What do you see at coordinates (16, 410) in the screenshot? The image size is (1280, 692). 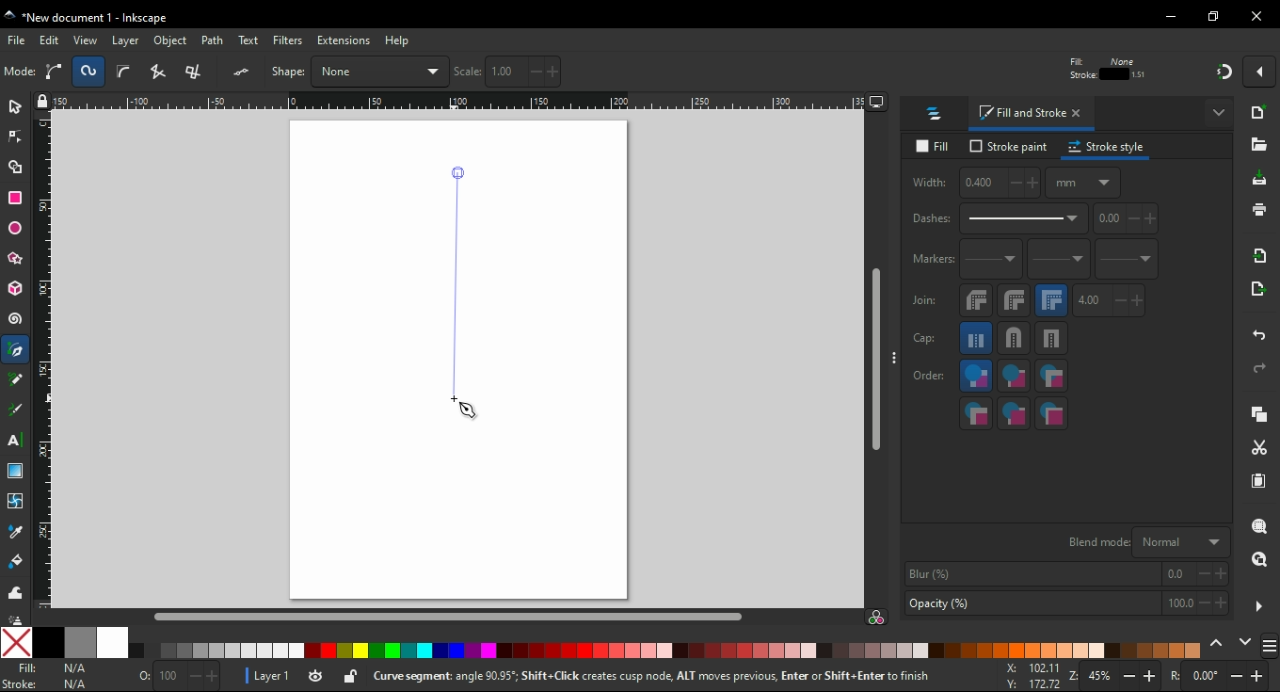 I see `calligraphy tool` at bounding box center [16, 410].